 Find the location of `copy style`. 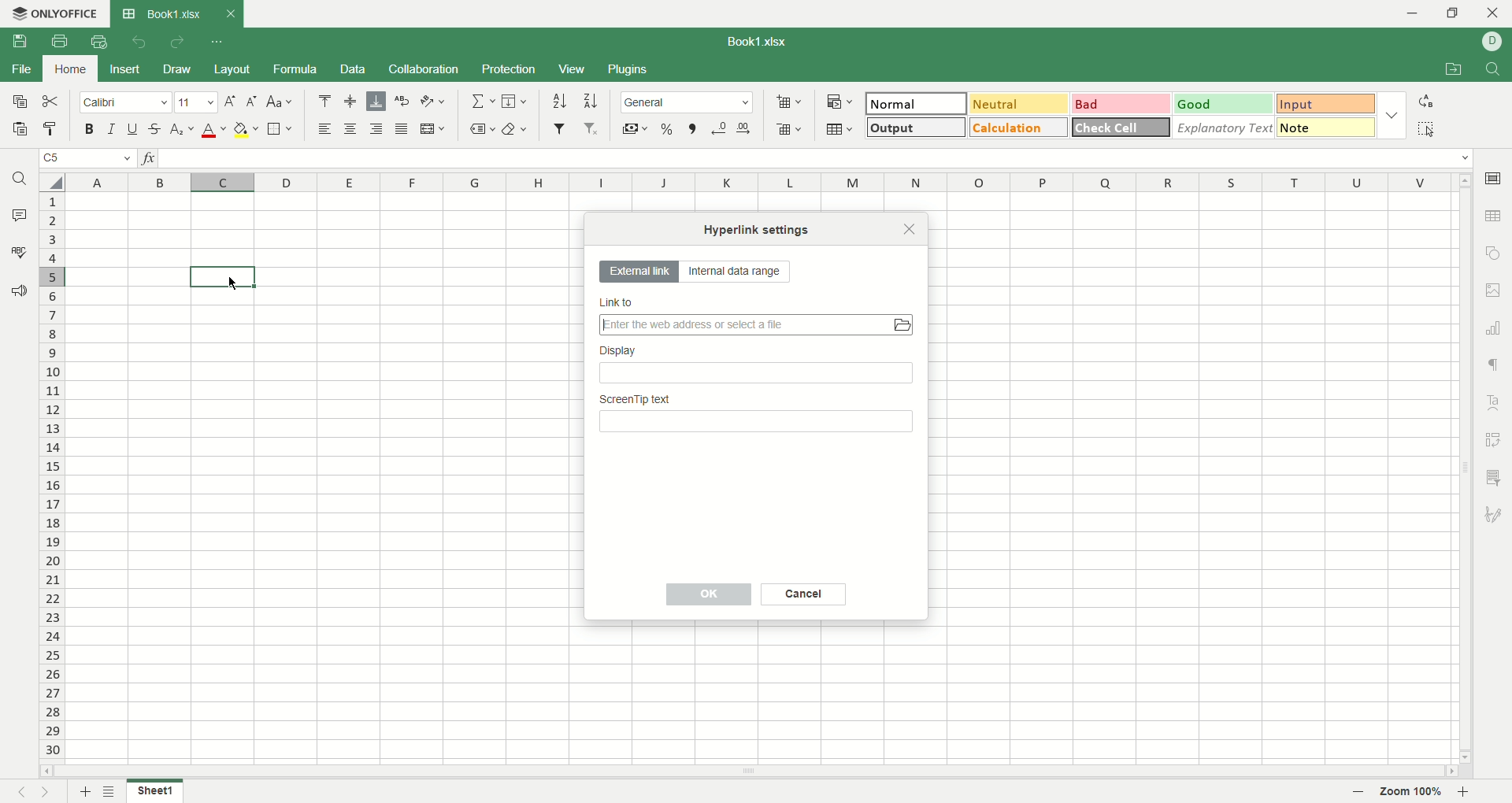

copy style is located at coordinates (51, 129).